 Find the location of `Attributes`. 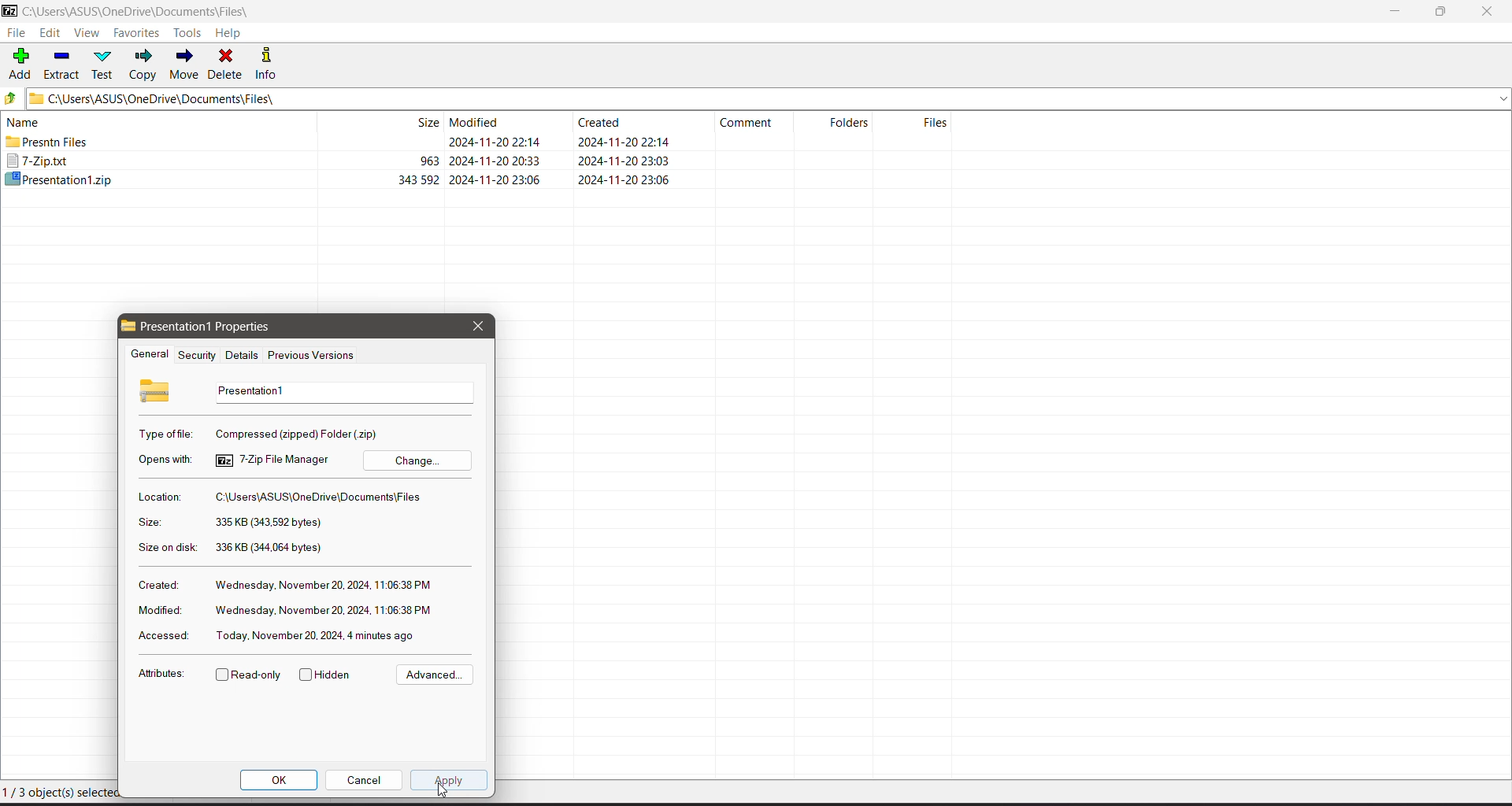

Attributes is located at coordinates (161, 676).